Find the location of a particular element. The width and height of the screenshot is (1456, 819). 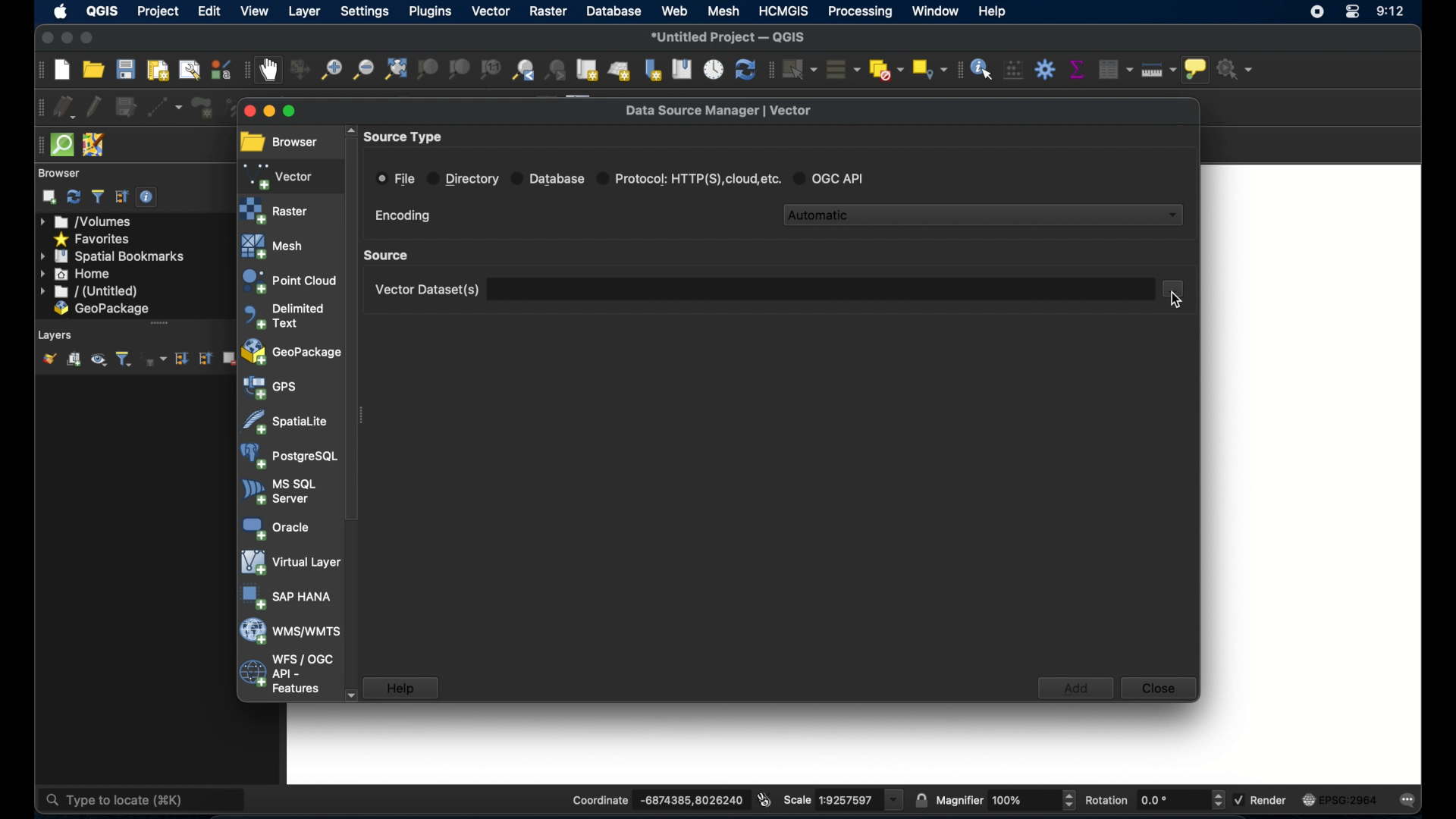

style manager is located at coordinates (220, 68).